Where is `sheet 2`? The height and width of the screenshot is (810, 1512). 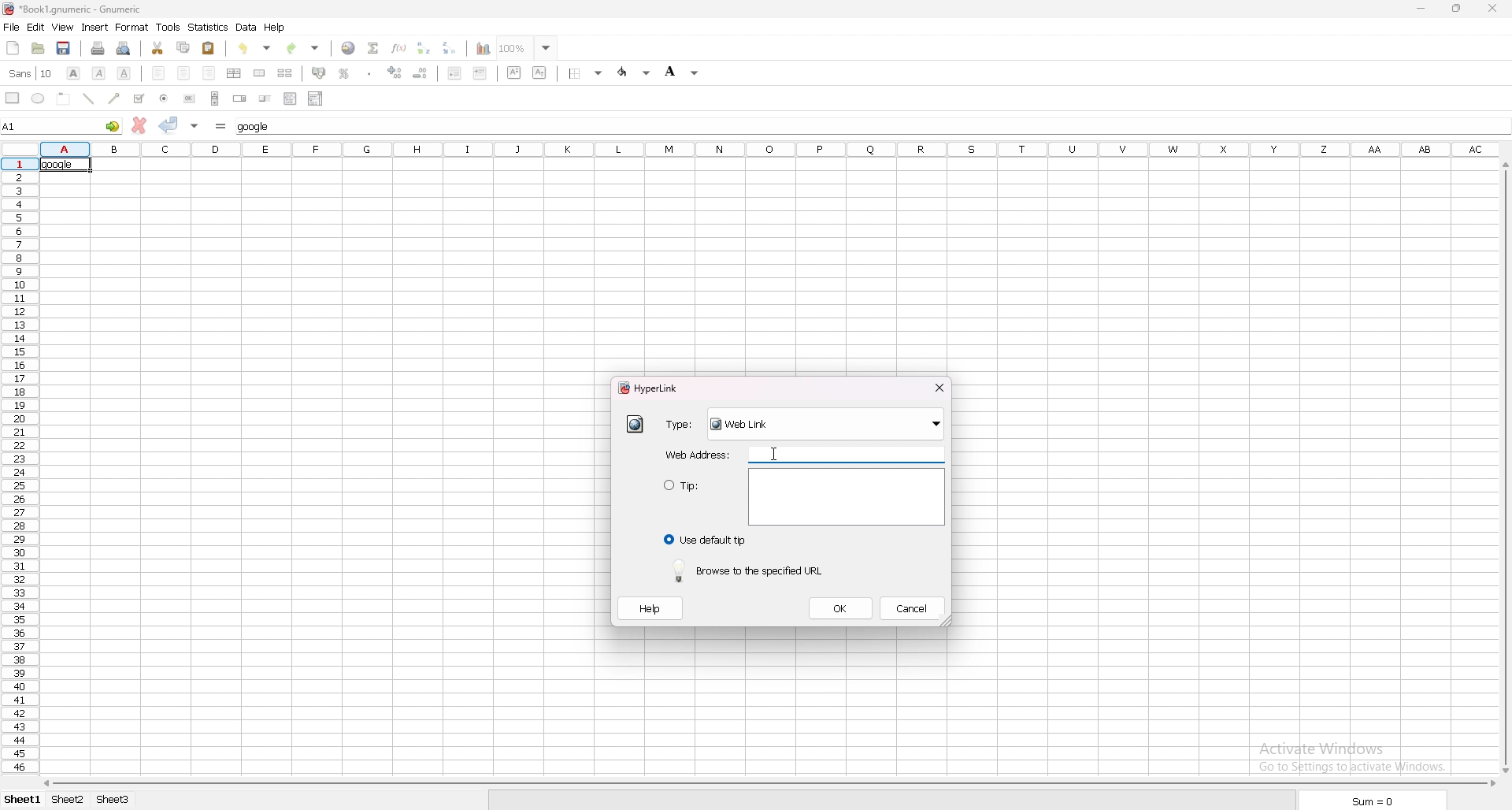 sheet 2 is located at coordinates (68, 801).